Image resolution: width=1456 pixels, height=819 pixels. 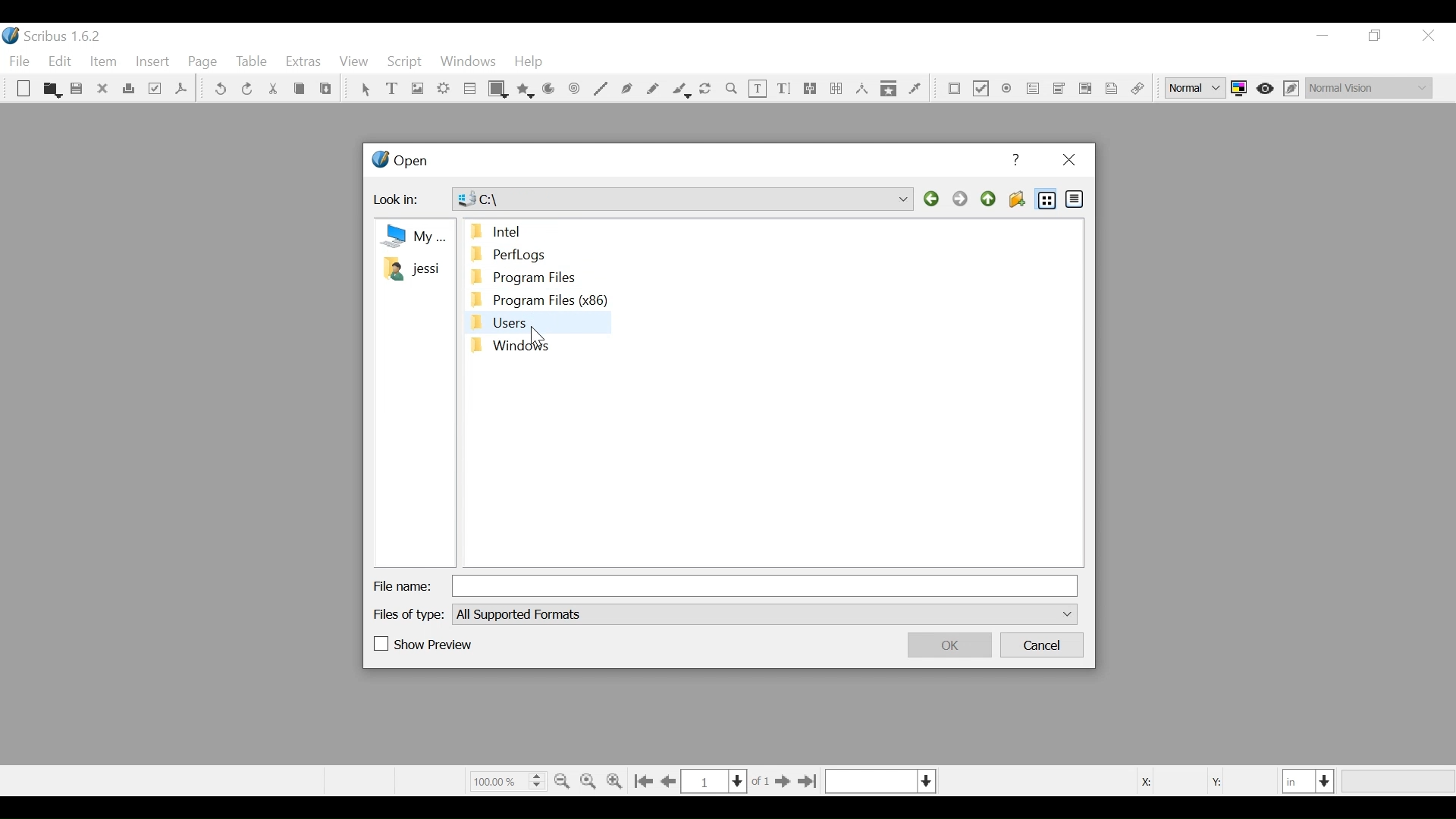 I want to click on Select the image preview quality, so click(x=1197, y=88).